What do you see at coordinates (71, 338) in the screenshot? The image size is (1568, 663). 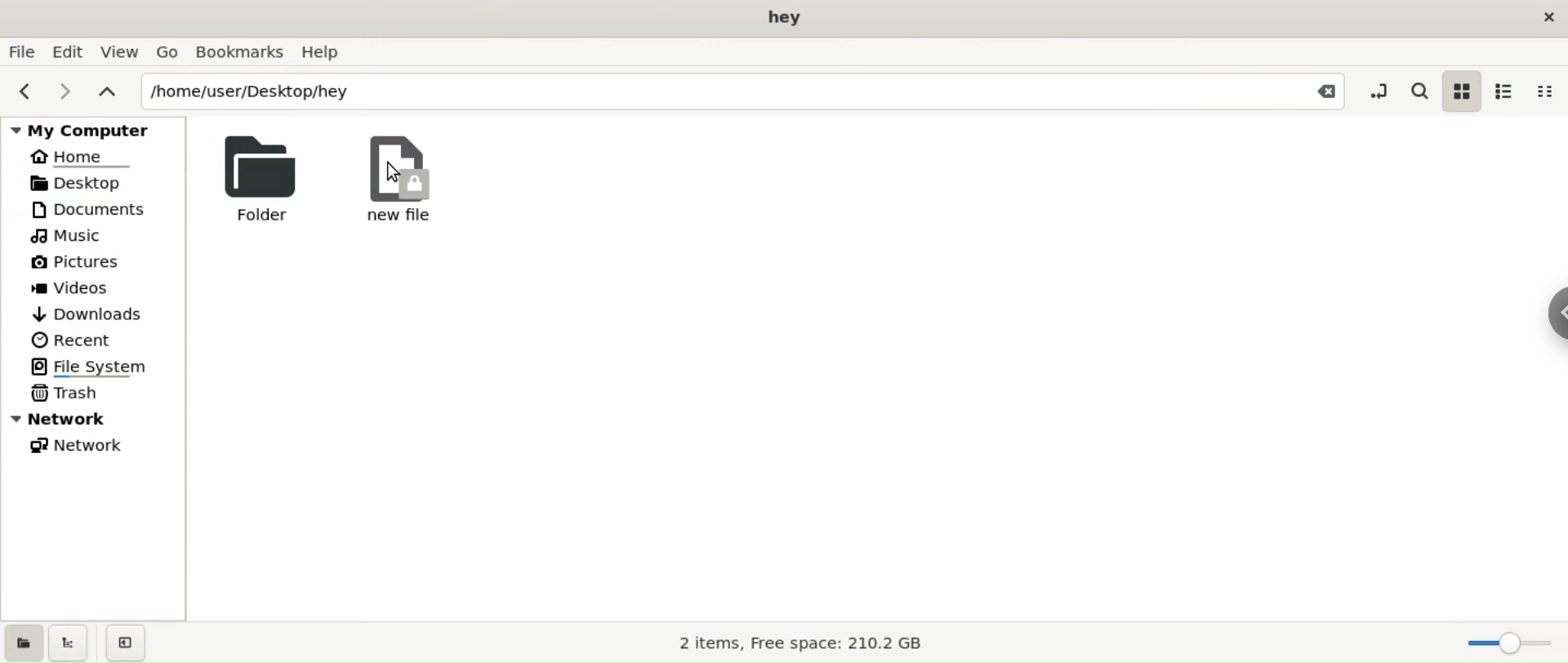 I see `Recent` at bounding box center [71, 338].